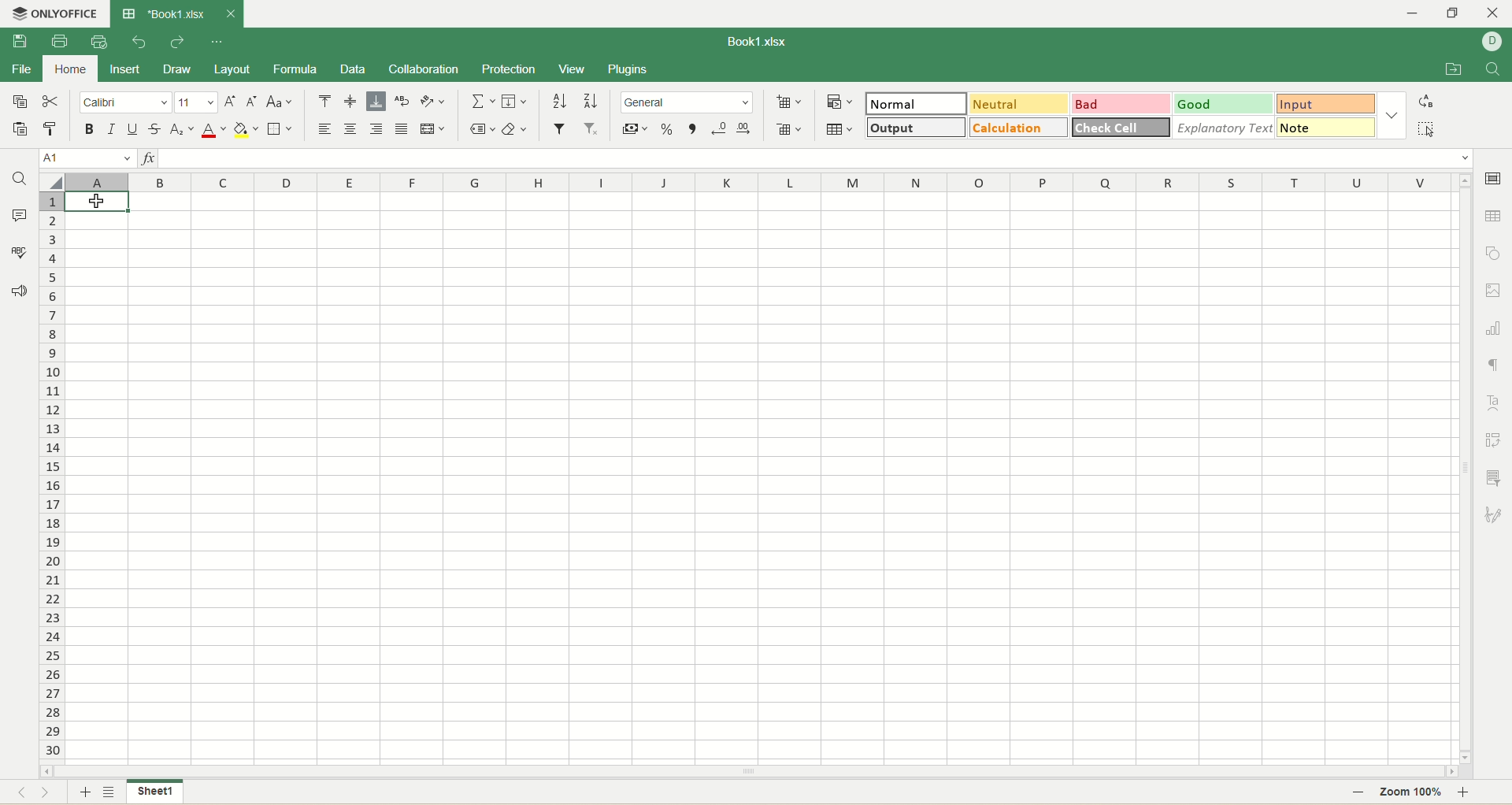 The height and width of the screenshot is (805, 1512). What do you see at coordinates (96, 201) in the screenshot?
I see `active cell` at bounding box center [96, 201].